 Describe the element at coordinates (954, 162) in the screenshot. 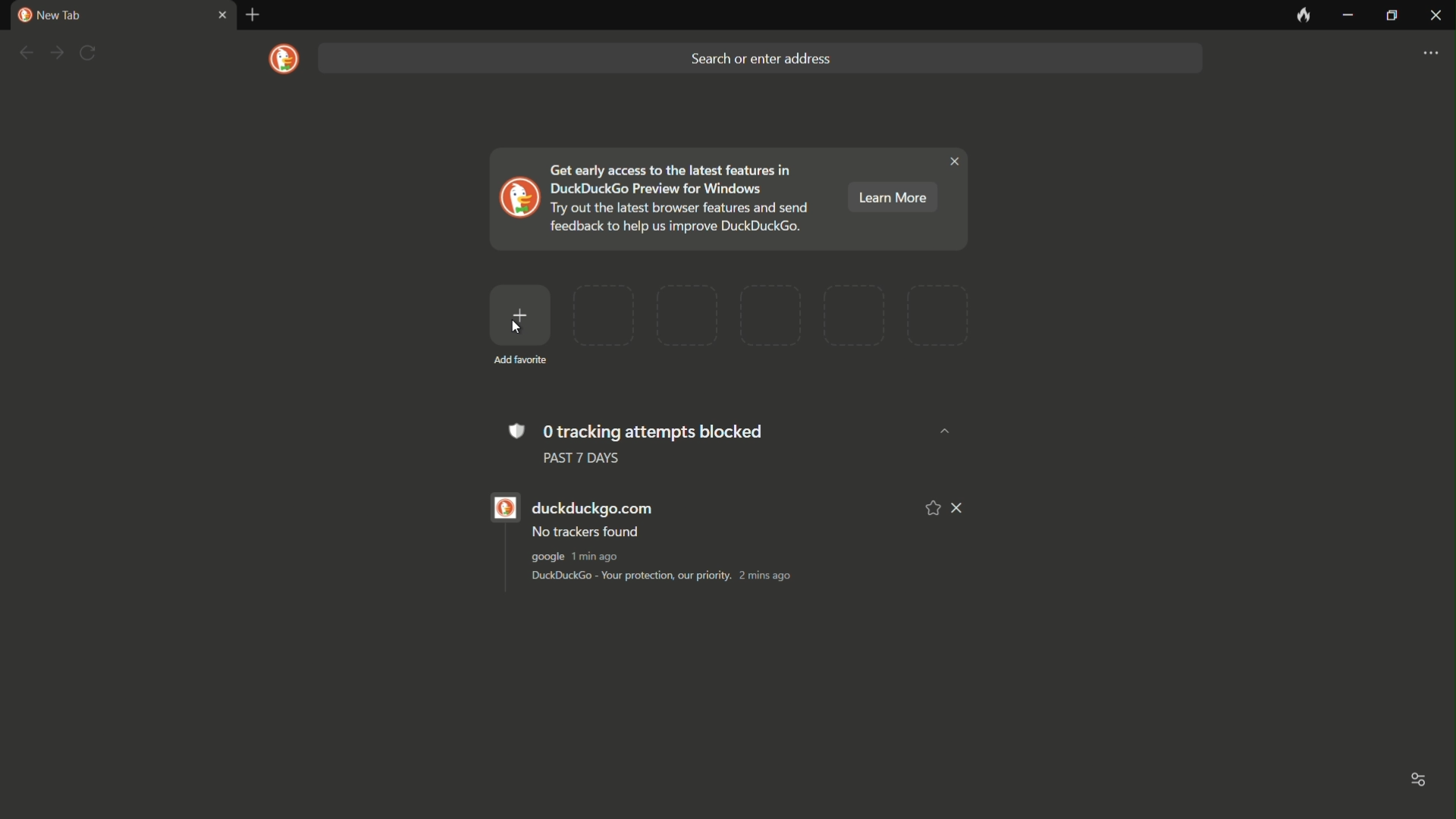

I see `close` at that location.